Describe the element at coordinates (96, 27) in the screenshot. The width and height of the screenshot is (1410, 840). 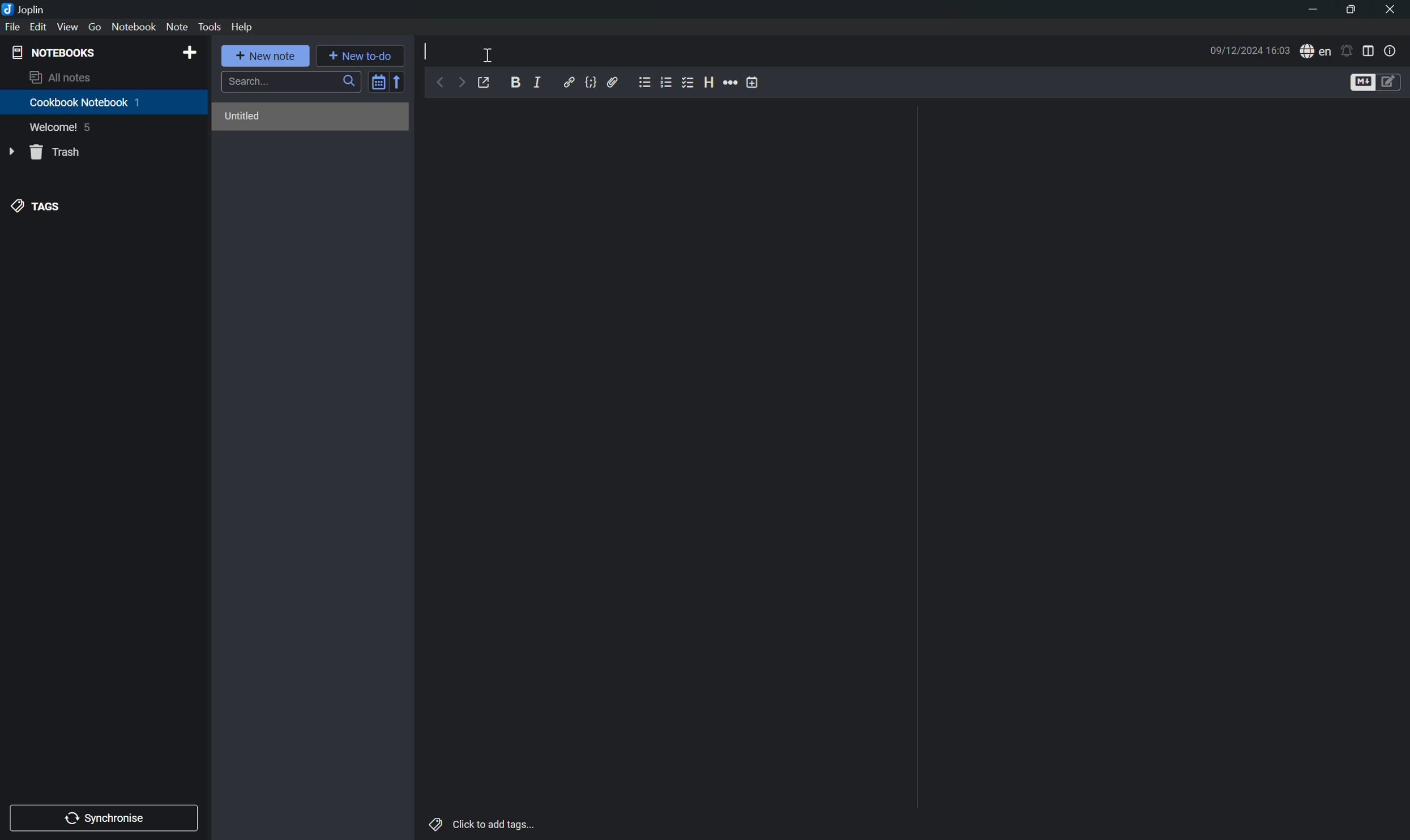
I see `Go` at that location.